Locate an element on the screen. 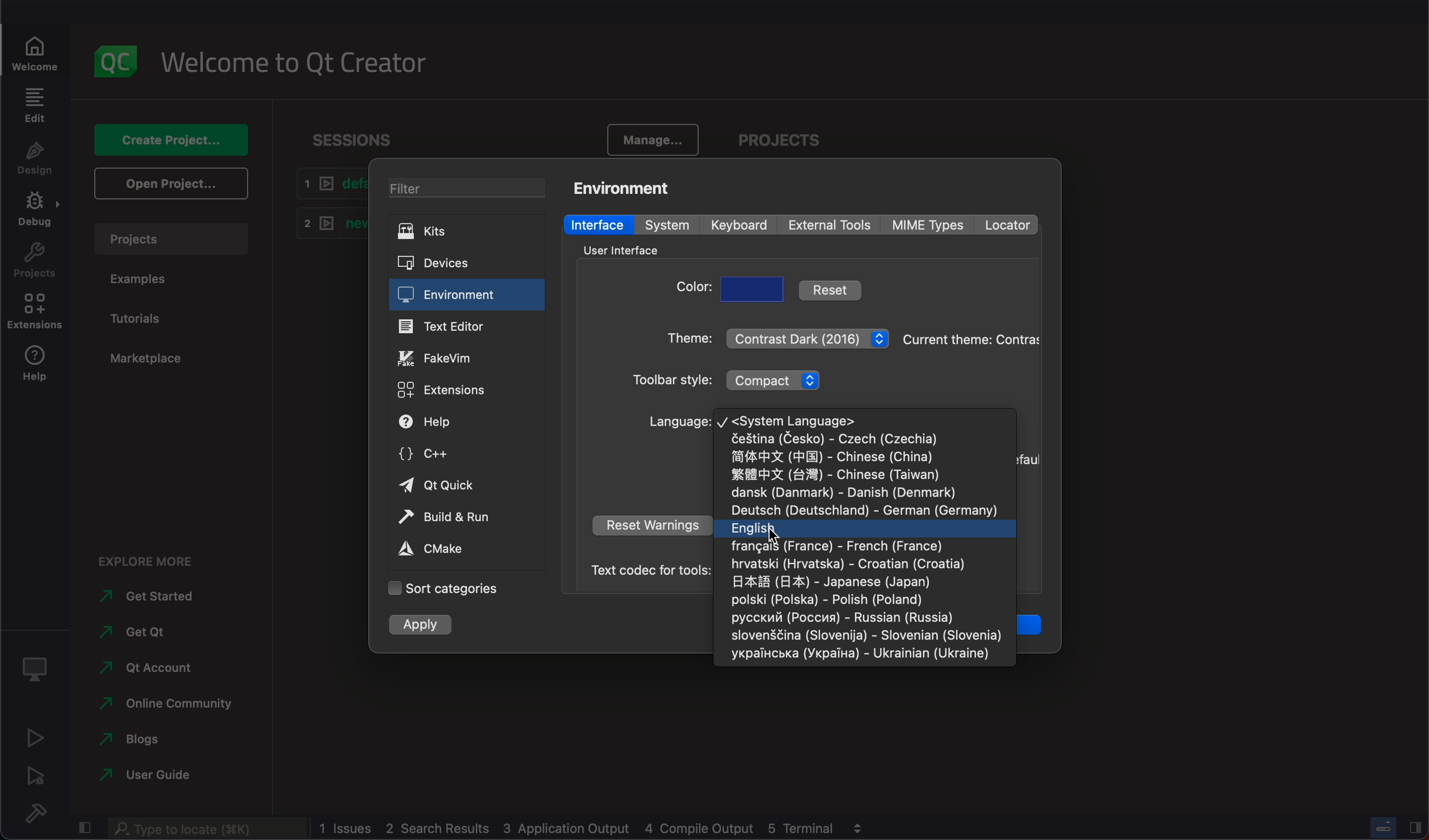  new1 is located at coordinates (330, 225).